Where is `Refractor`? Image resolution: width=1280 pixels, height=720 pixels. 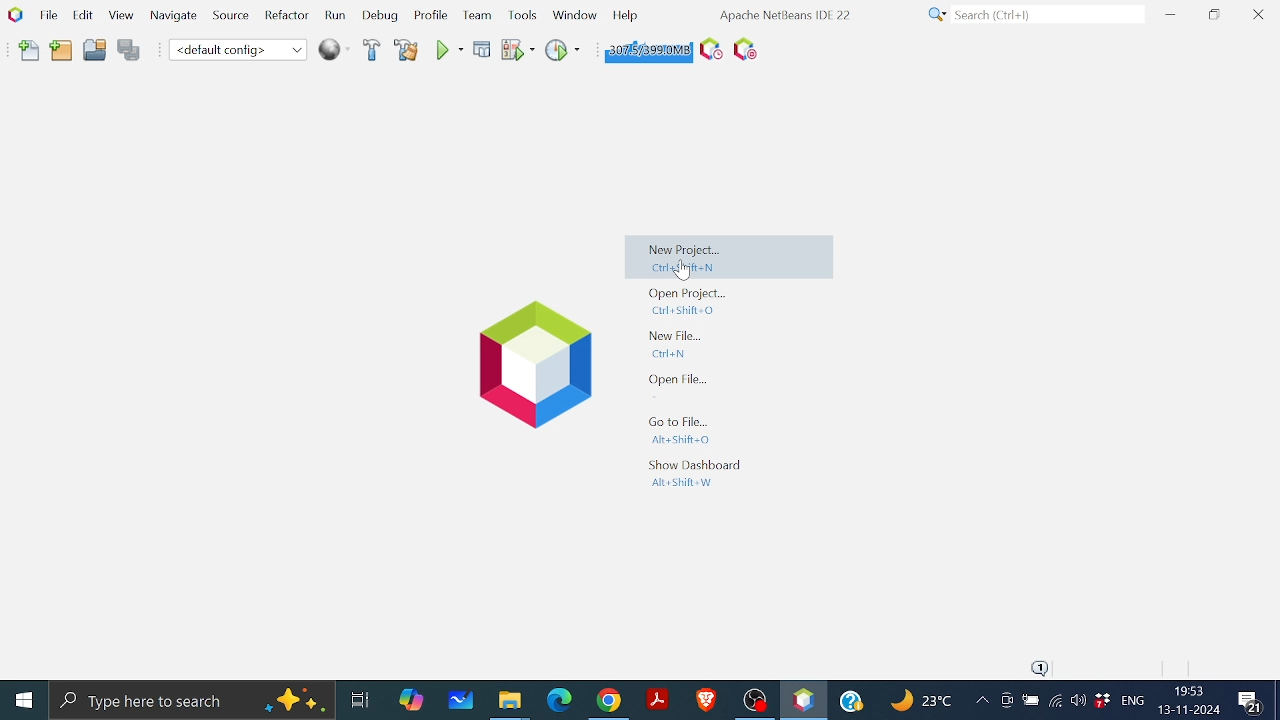
Refractor is located at coordinates (282, 16).